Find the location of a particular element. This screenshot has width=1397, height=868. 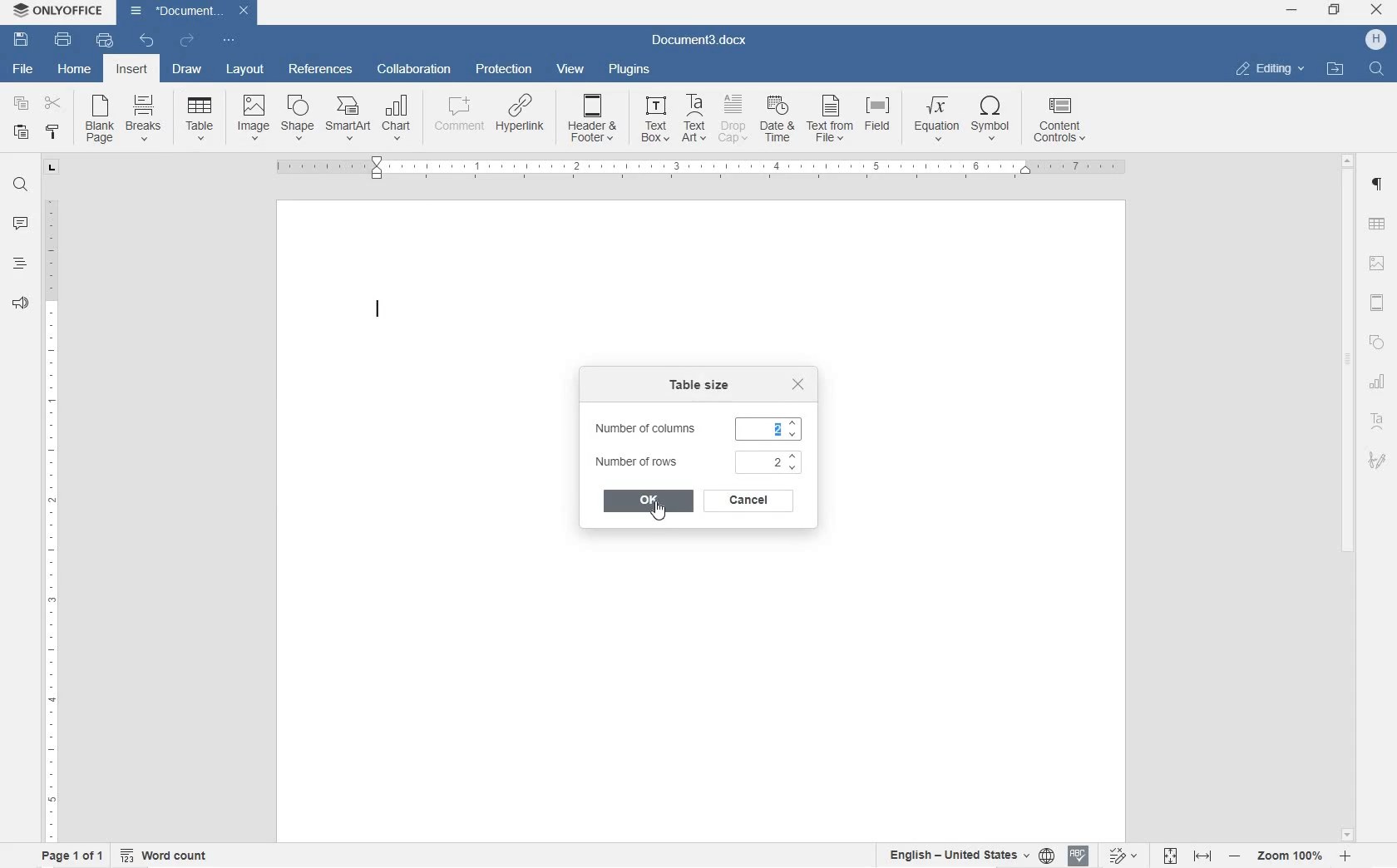

TEXT ART is located at coordinates (1378, 423).